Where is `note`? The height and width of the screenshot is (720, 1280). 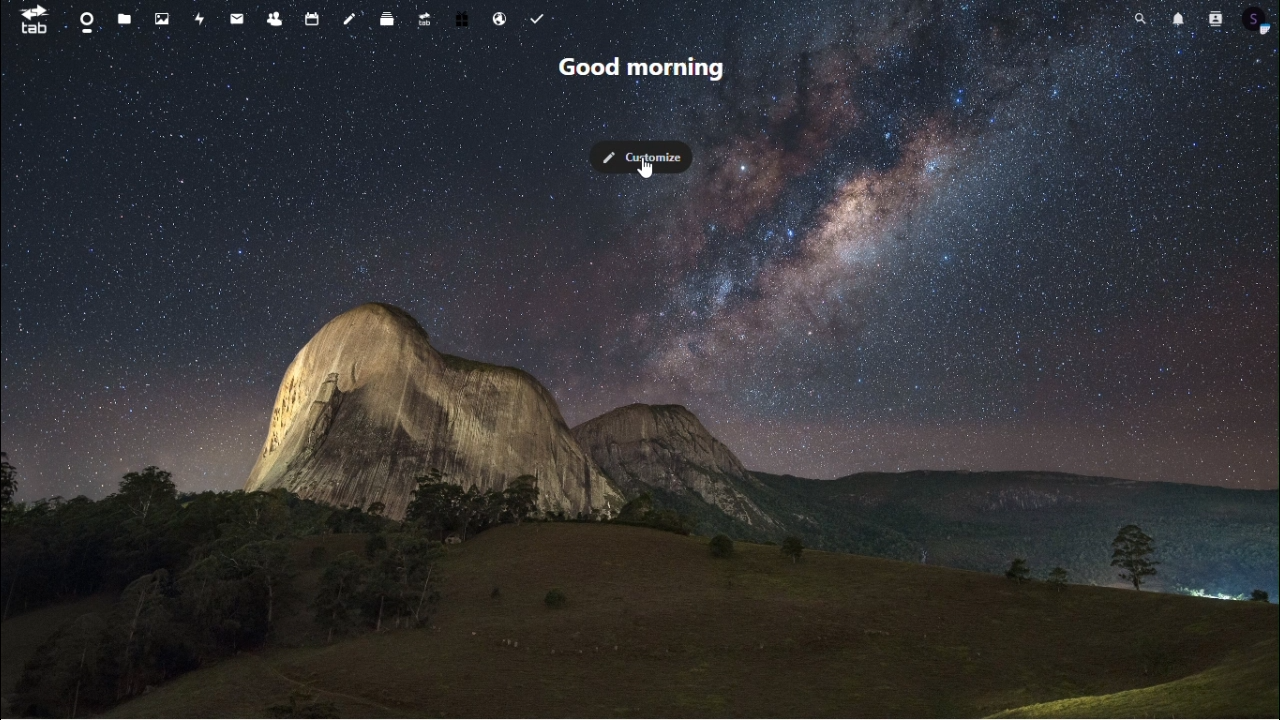 note is located at coordinates (351, 22).